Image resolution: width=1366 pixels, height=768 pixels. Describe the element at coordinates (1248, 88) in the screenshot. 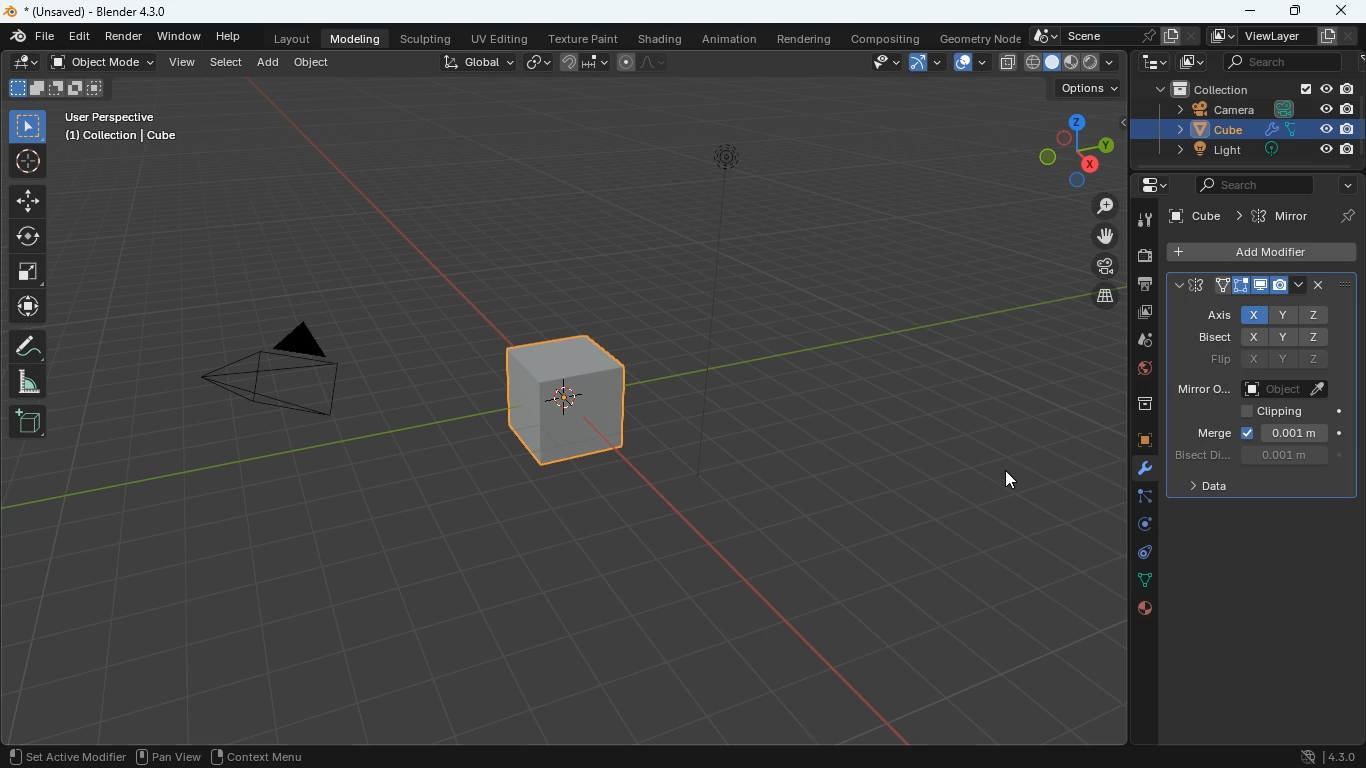

I see `collection` at that location.